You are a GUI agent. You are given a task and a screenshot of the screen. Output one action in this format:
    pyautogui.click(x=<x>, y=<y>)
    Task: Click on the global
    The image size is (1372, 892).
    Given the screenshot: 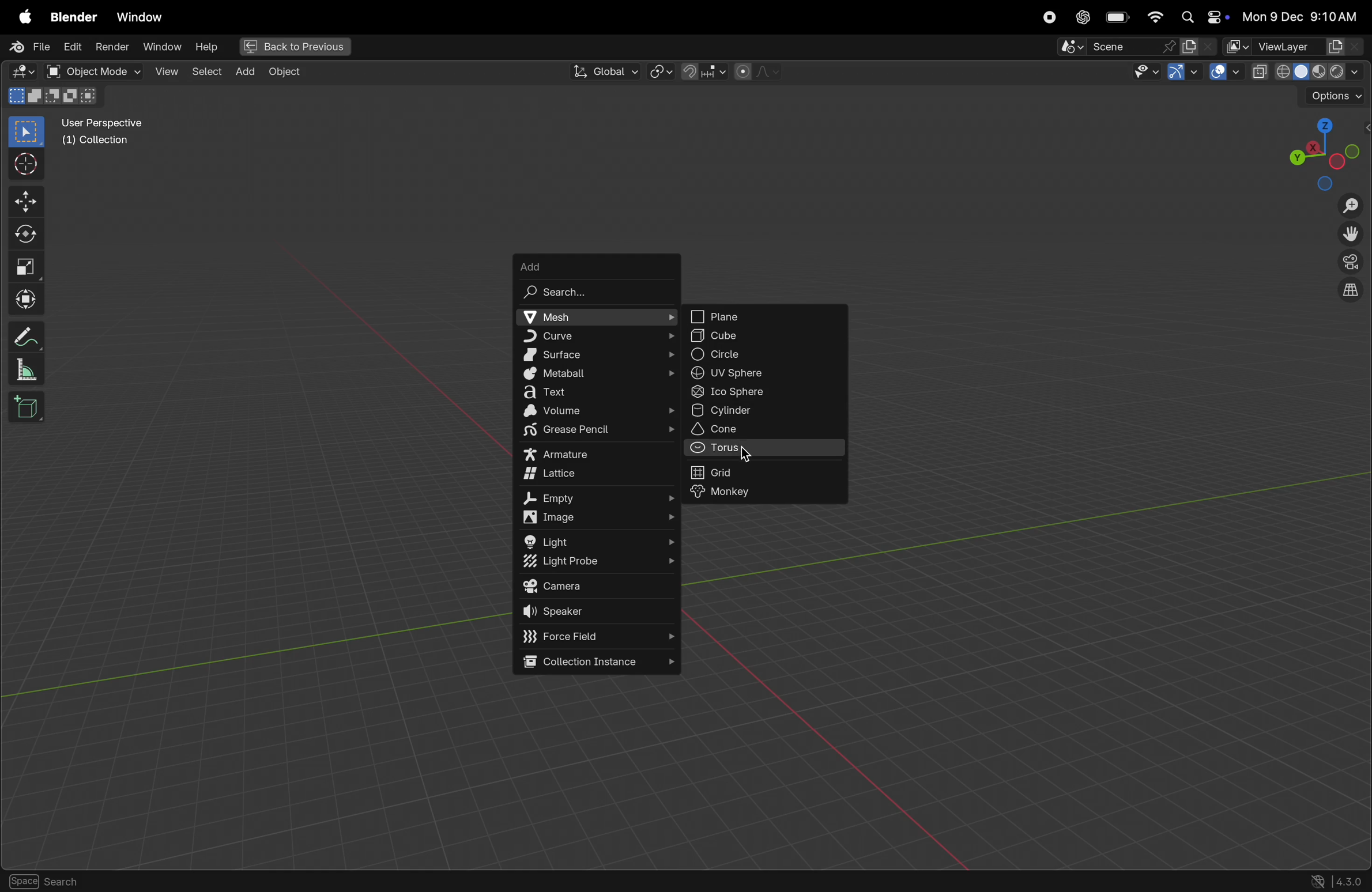 What is the action you would take?
    pyautogui.click(x=602, y=72)
    